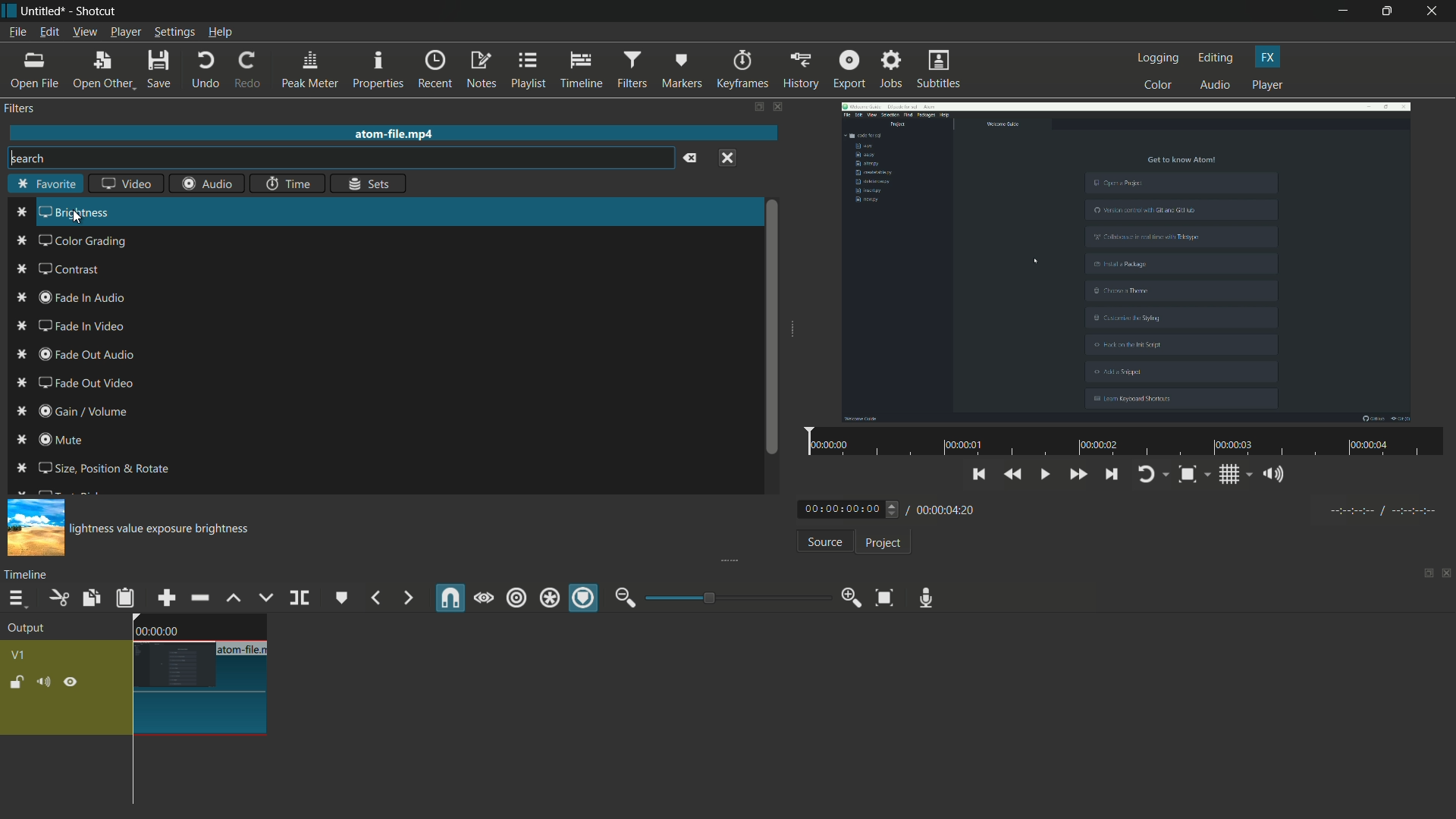 The height and width of the screenshot is (819, 1456). Describe the element at coordinates (53, 268) in the screenshot. I see `contrast` at that location.